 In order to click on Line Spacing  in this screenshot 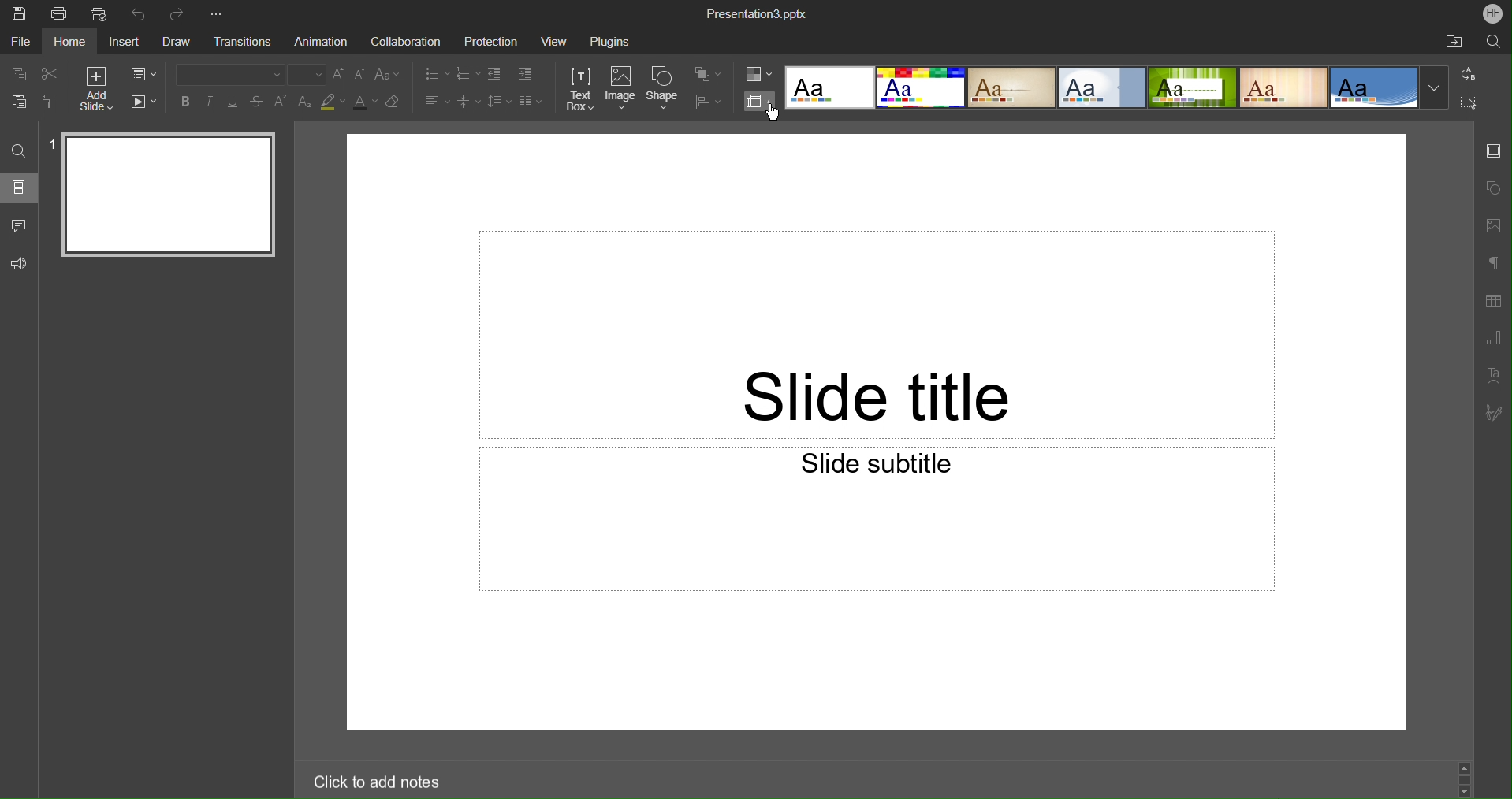, I will do `click(497, 102)`.